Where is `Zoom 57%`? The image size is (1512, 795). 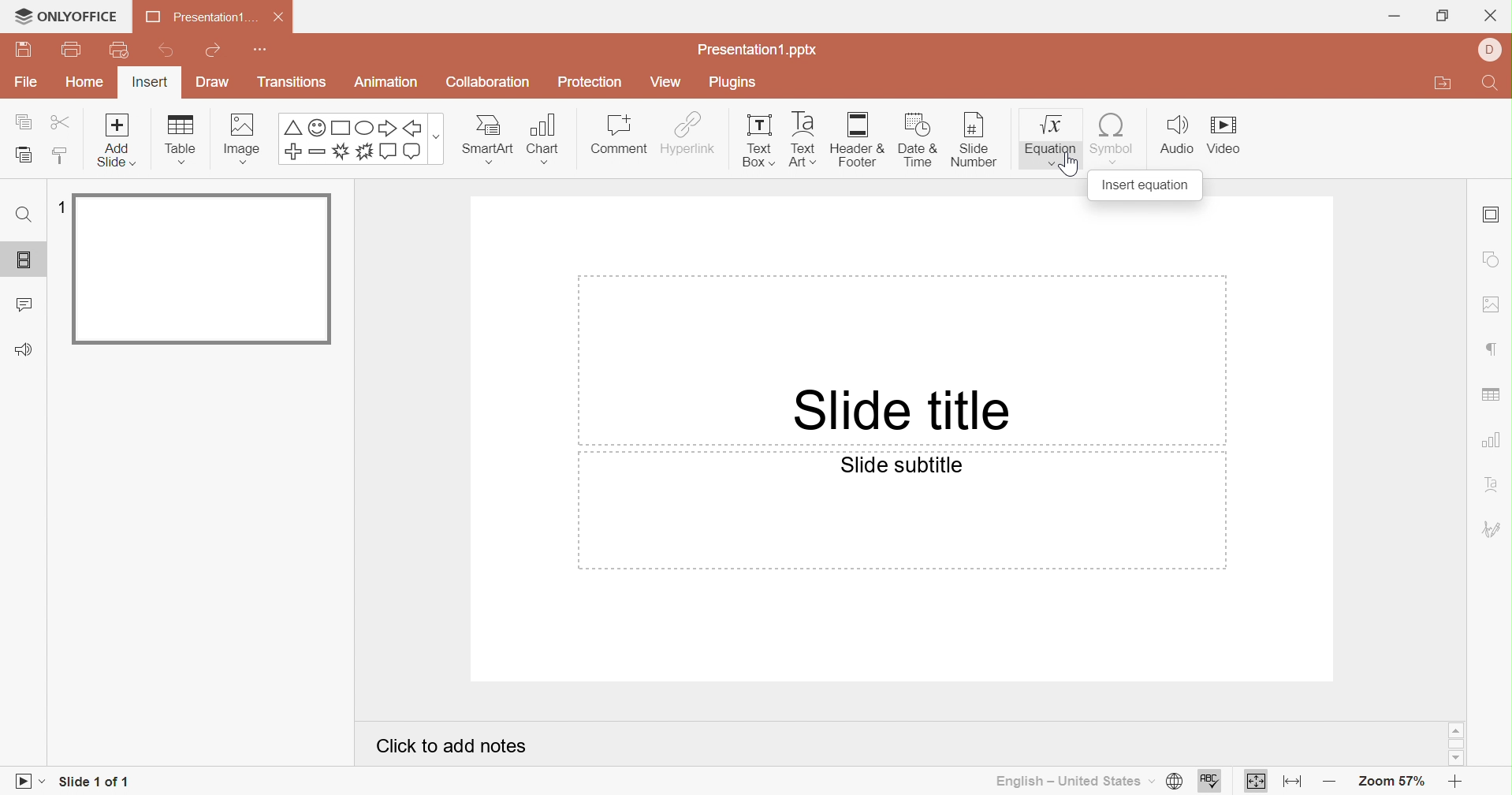
Zoom 57% is located at coordinates (1389, 780).